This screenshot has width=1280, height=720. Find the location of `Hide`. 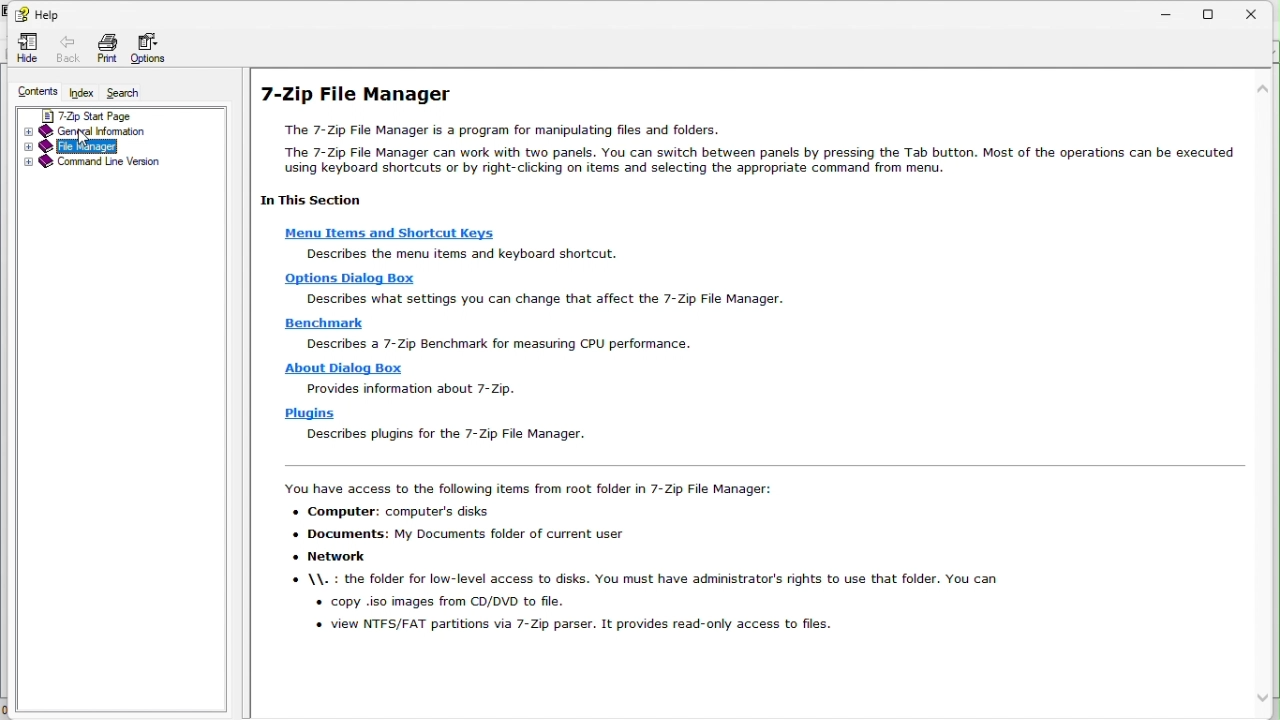

Hide is located at coordinates (24, 47).